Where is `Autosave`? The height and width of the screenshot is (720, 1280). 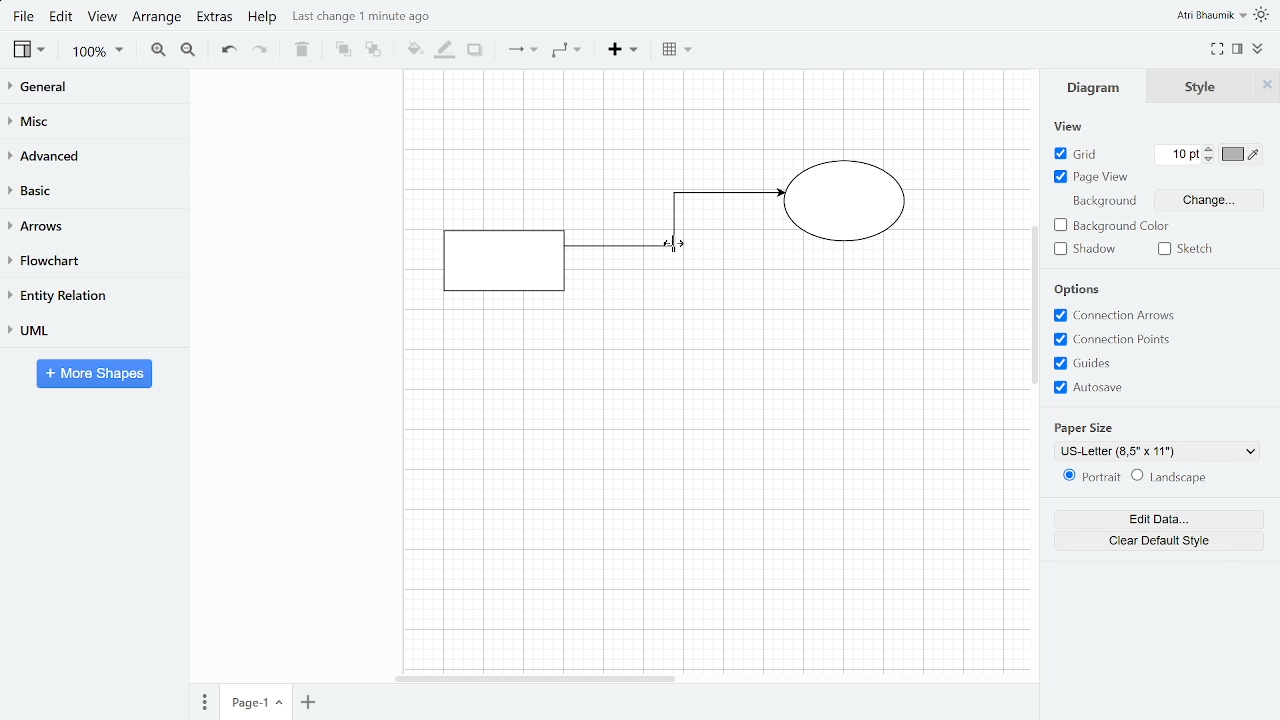
Autosave is located at coordinates (1113, 388).